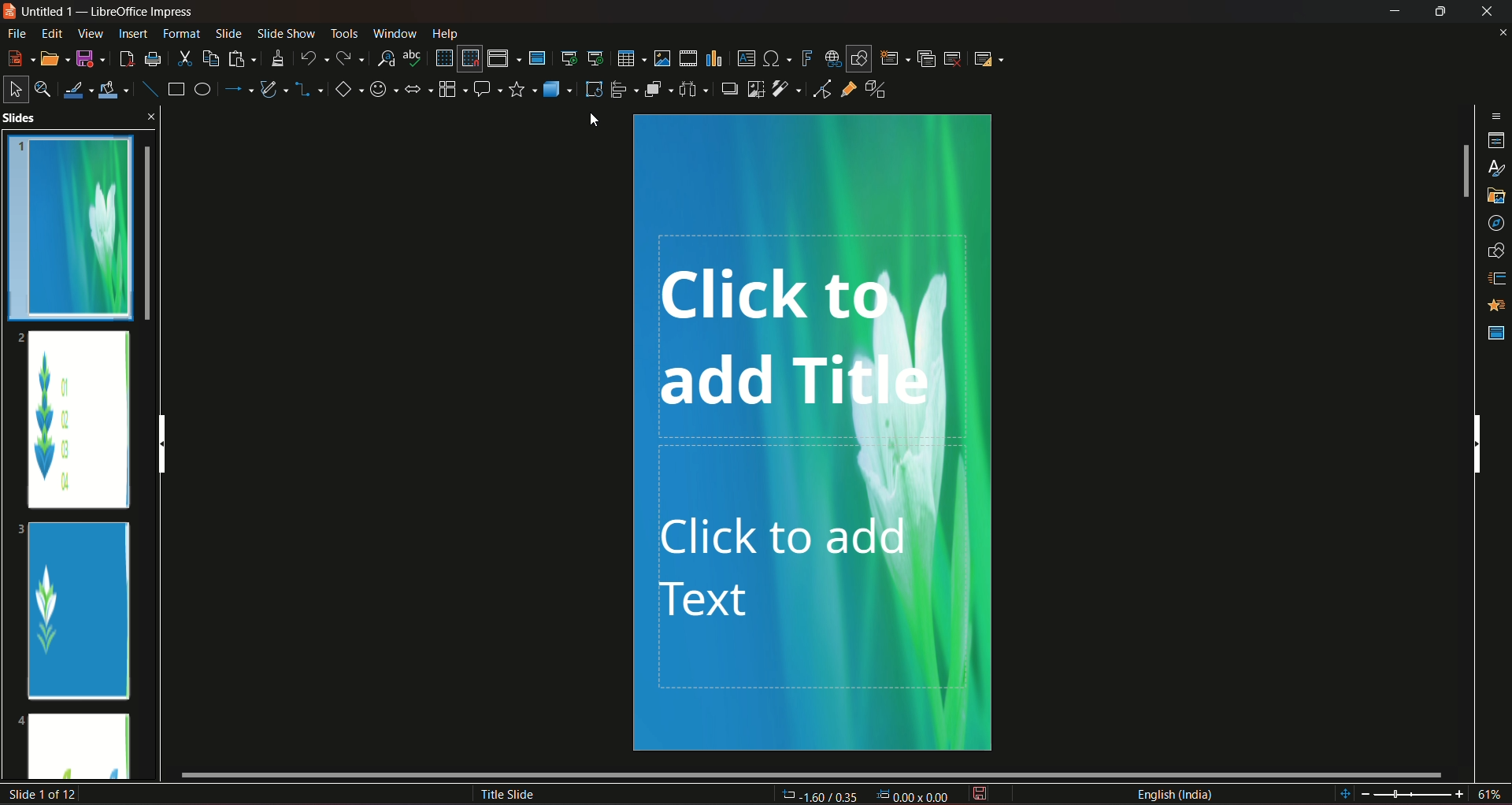 The width and height of the screenshot is (1512, 805). Describe the element at coordinates (153, 57) in the screenshot. I see `print` at that location.